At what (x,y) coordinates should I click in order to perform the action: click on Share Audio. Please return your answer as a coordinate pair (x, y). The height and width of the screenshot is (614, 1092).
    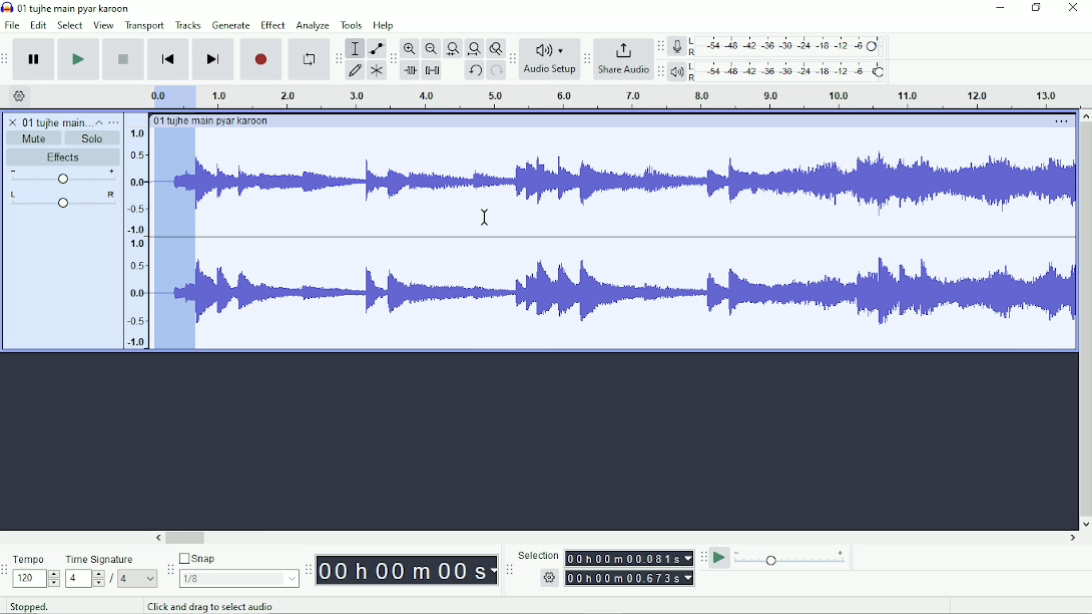
    Looking at the image, I should click on (622, 71).